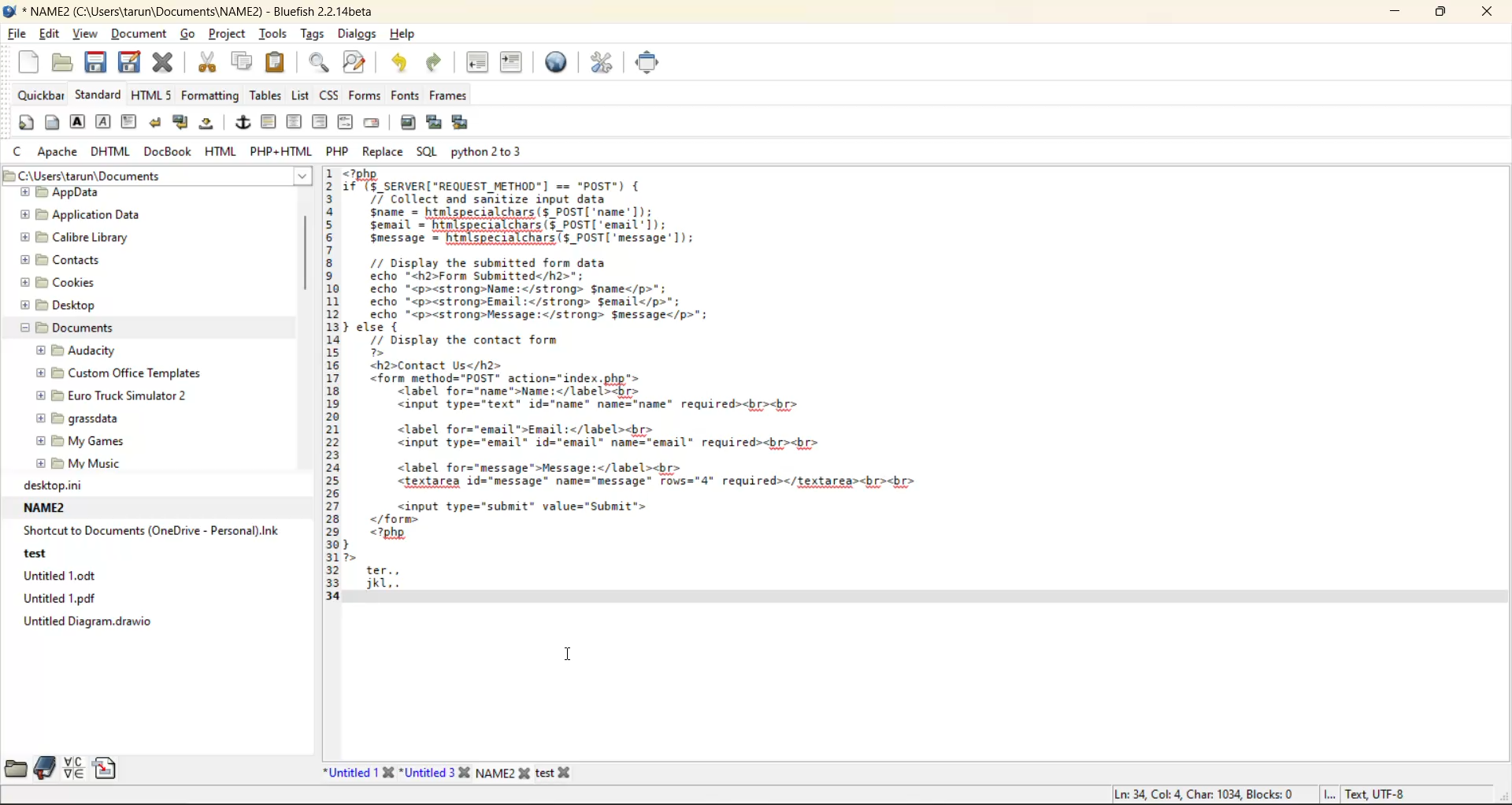  Describe the element at coordinates (163, 65) in the screenshot. I see `close file` at that location.